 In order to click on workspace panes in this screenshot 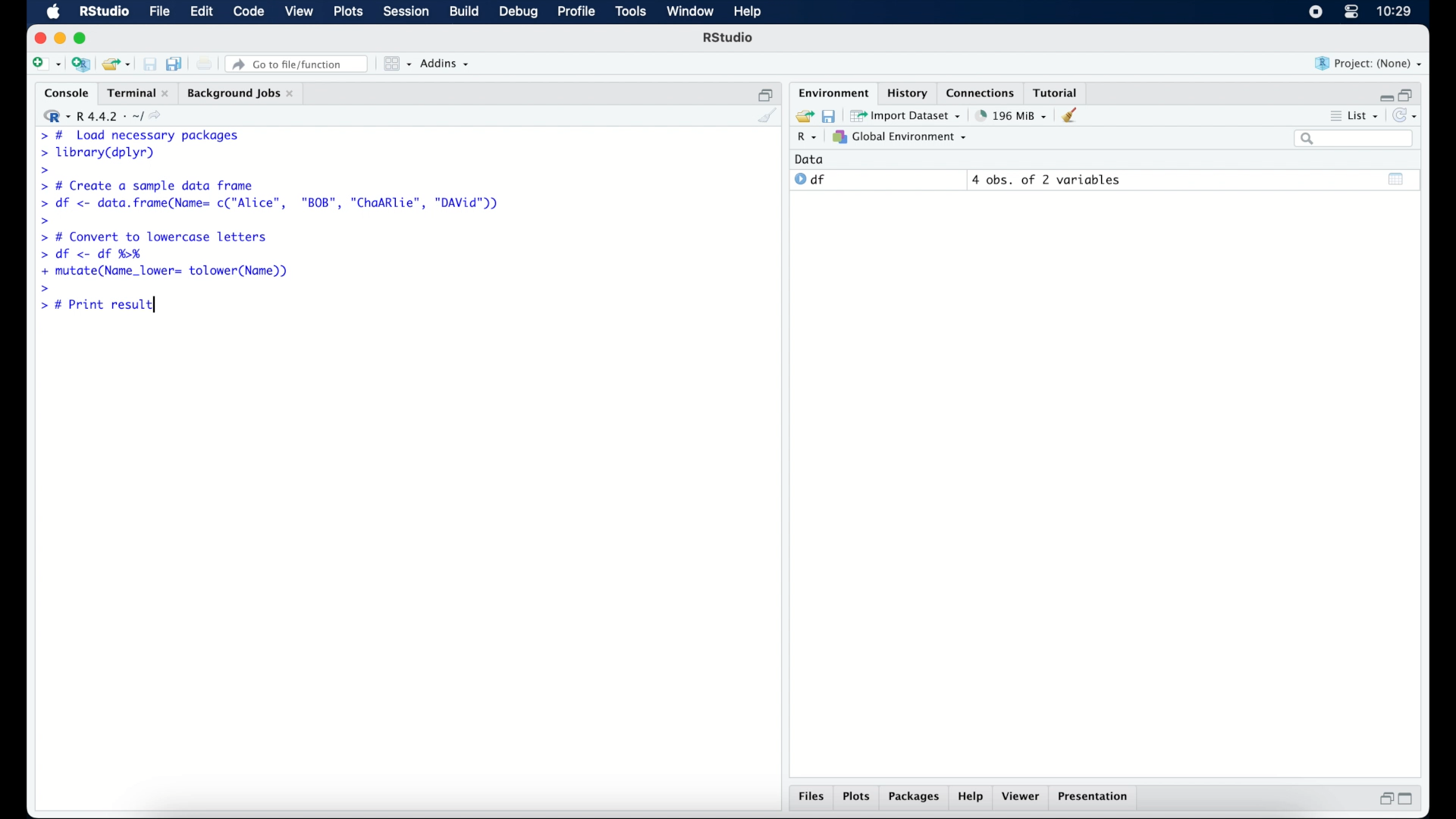, I will do `click(396, 64)`.